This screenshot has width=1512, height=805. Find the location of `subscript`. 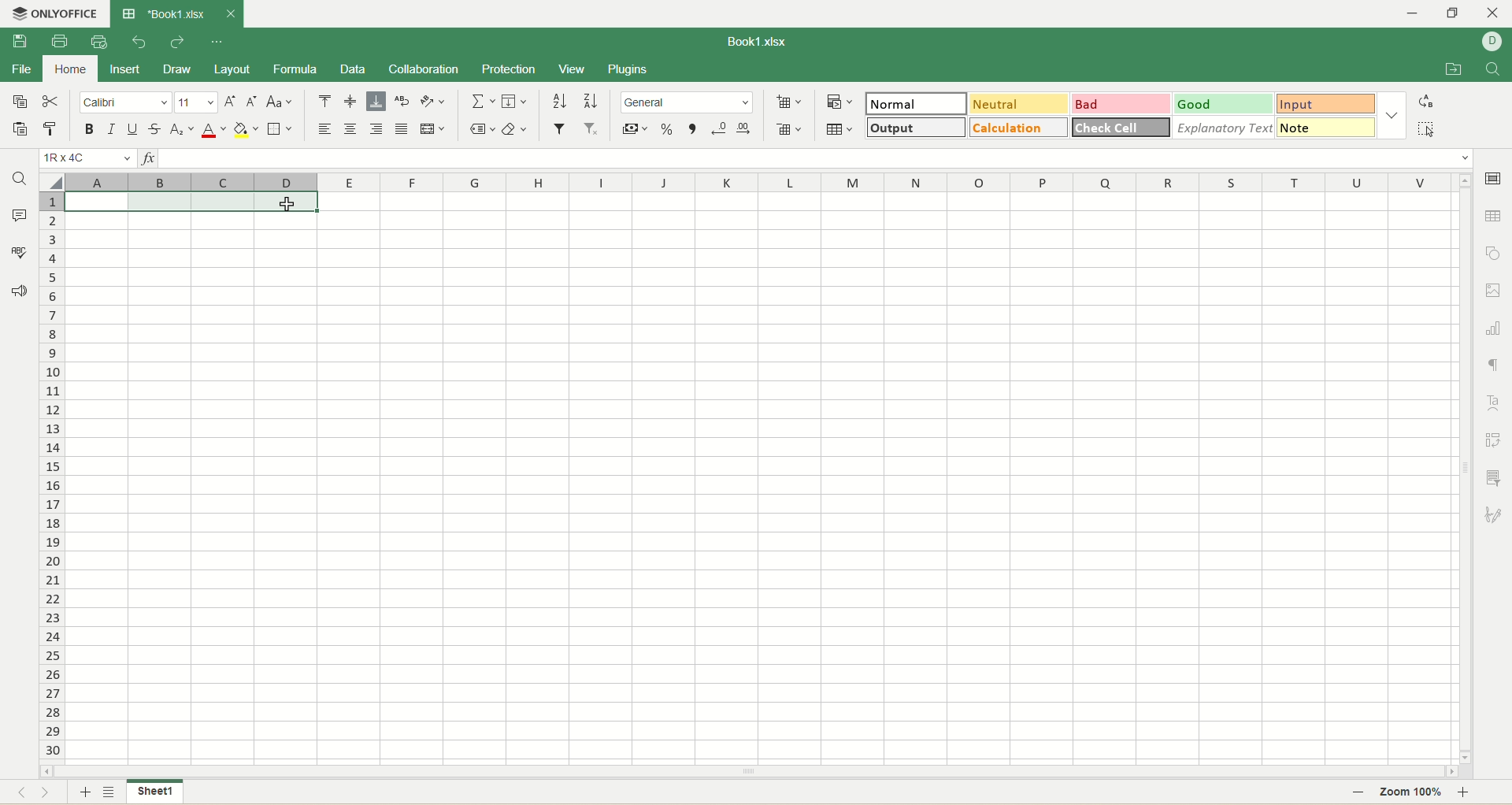

subscript is located at coordinates (183, 129).